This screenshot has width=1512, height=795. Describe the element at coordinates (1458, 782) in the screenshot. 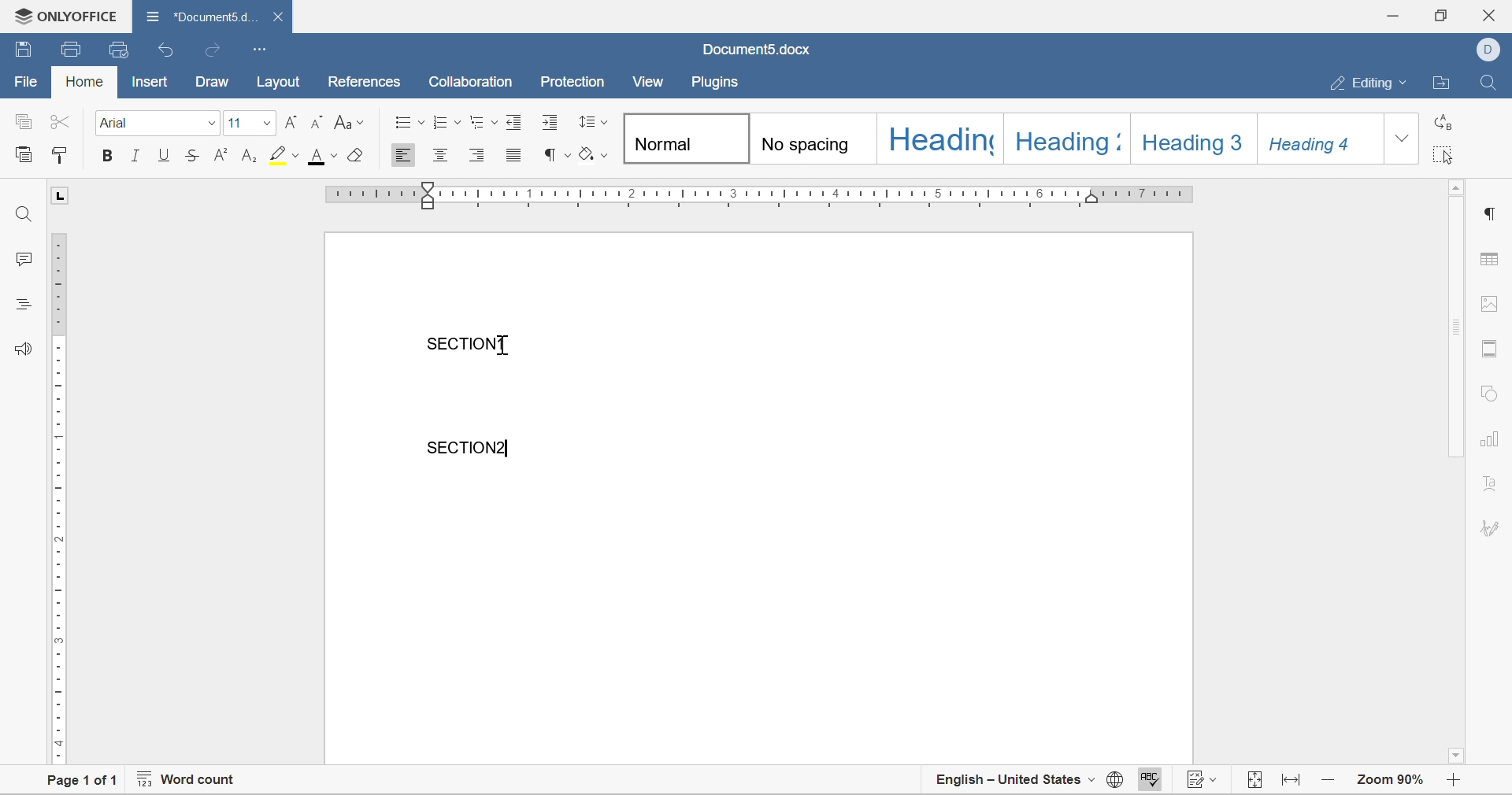

I see `zoom out` at that location.